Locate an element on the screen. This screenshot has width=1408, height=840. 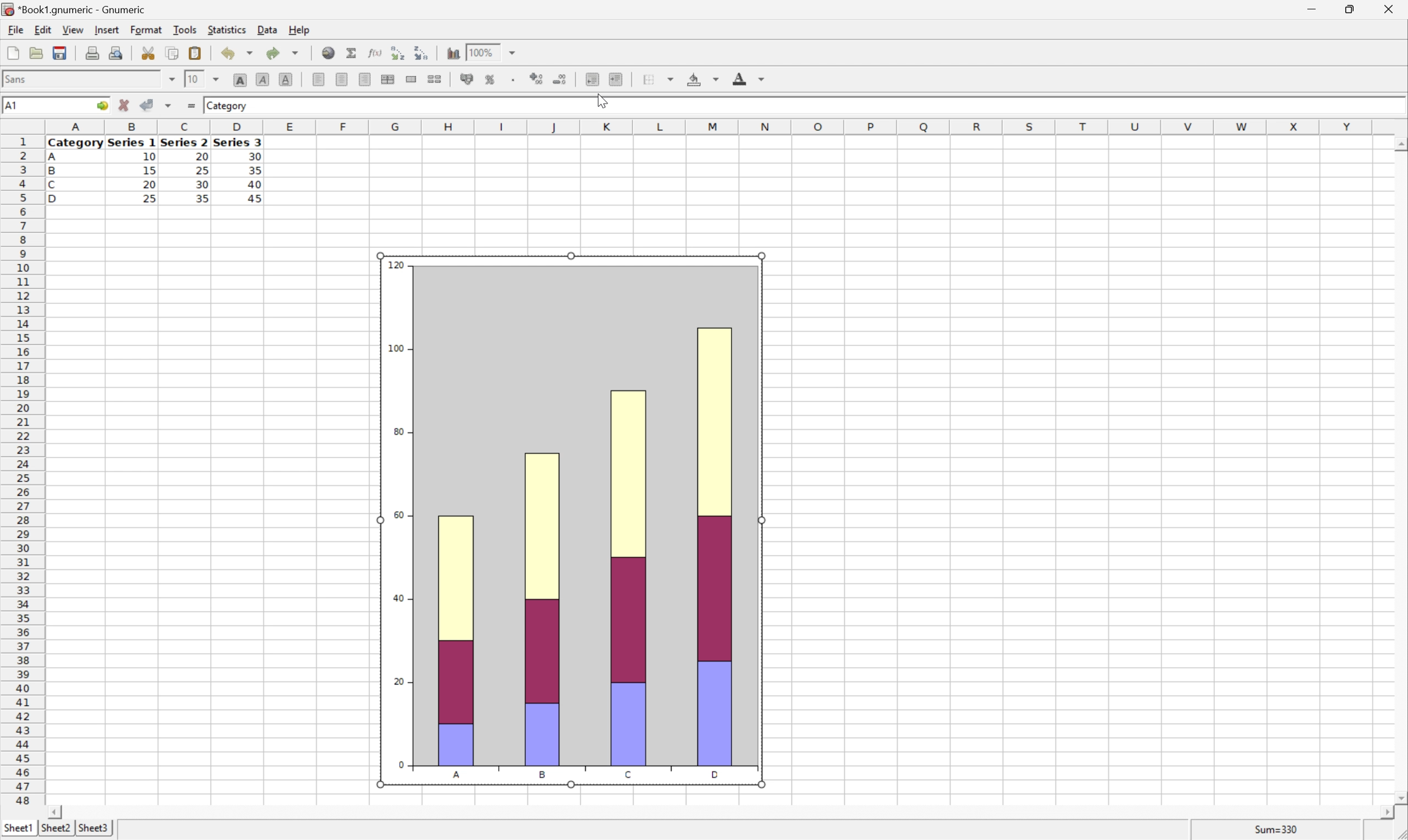
15 is located at coordinates (149, 170).